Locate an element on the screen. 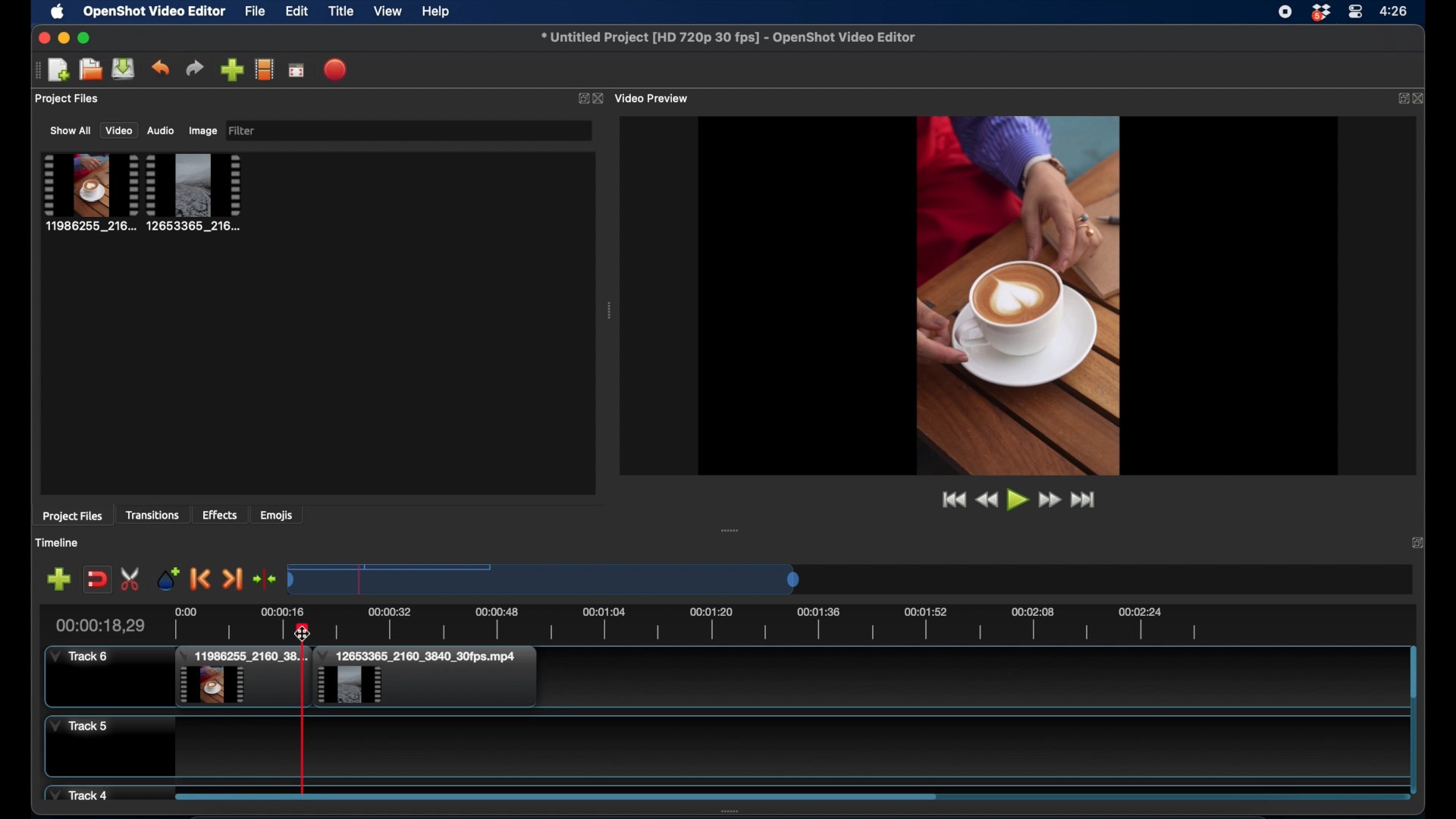 The width and height of the screenshot is (1456, 819). jump to start is located at coordinates (951, 499).